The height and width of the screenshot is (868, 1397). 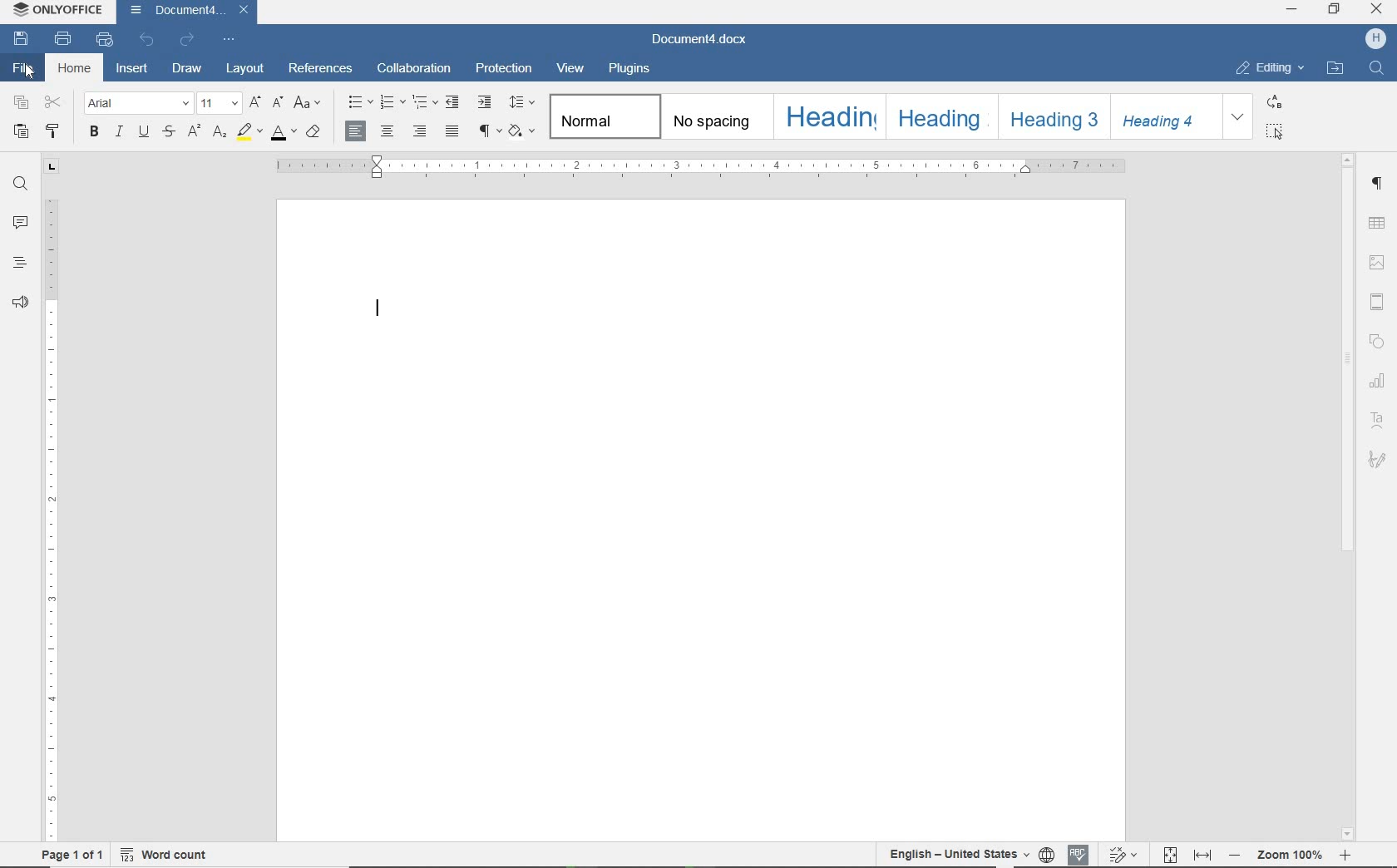 I want to click on set document language, so click(x=1047, y=856).